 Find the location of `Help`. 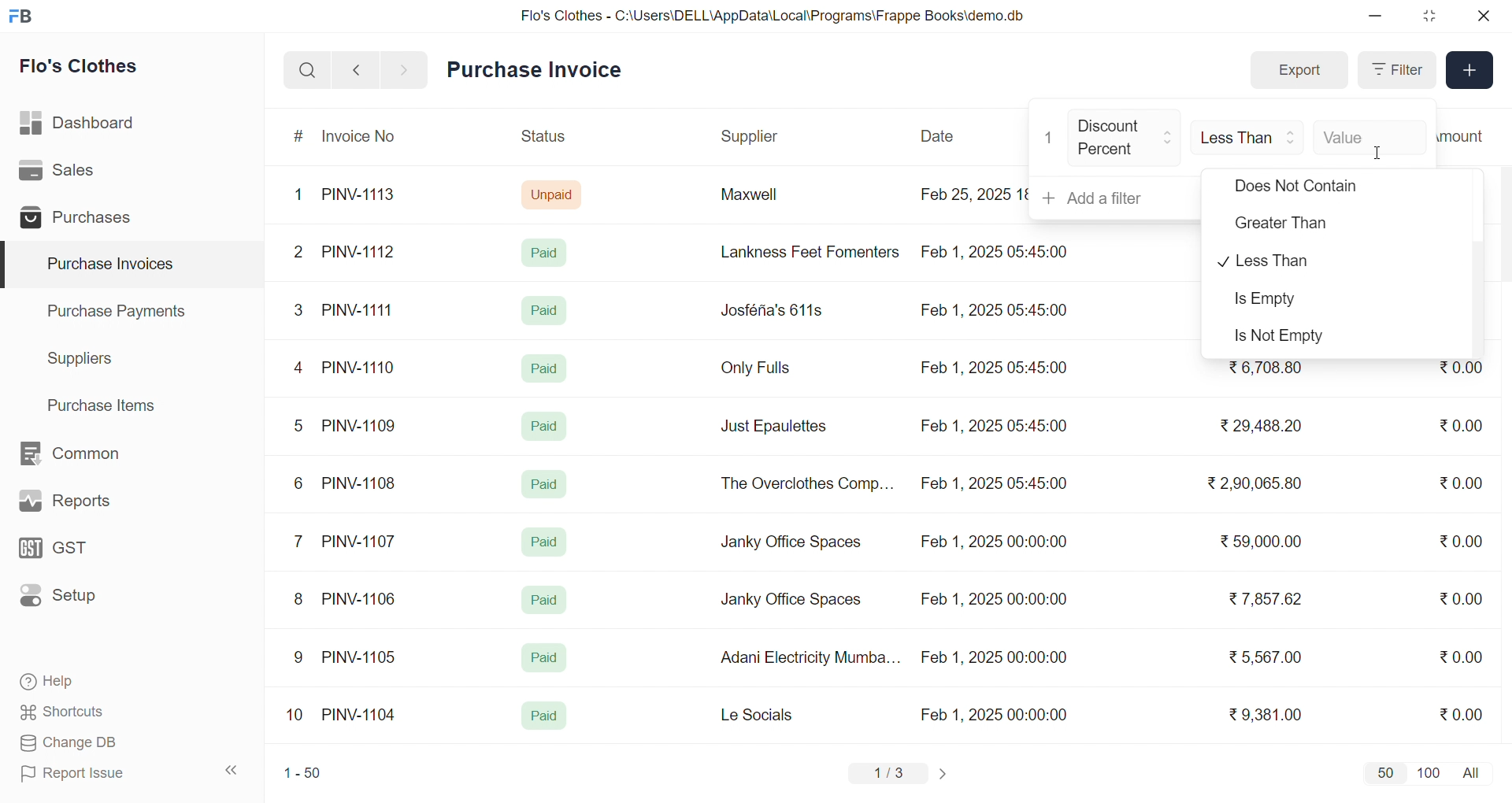

Help is located at coordinates (98, 683).